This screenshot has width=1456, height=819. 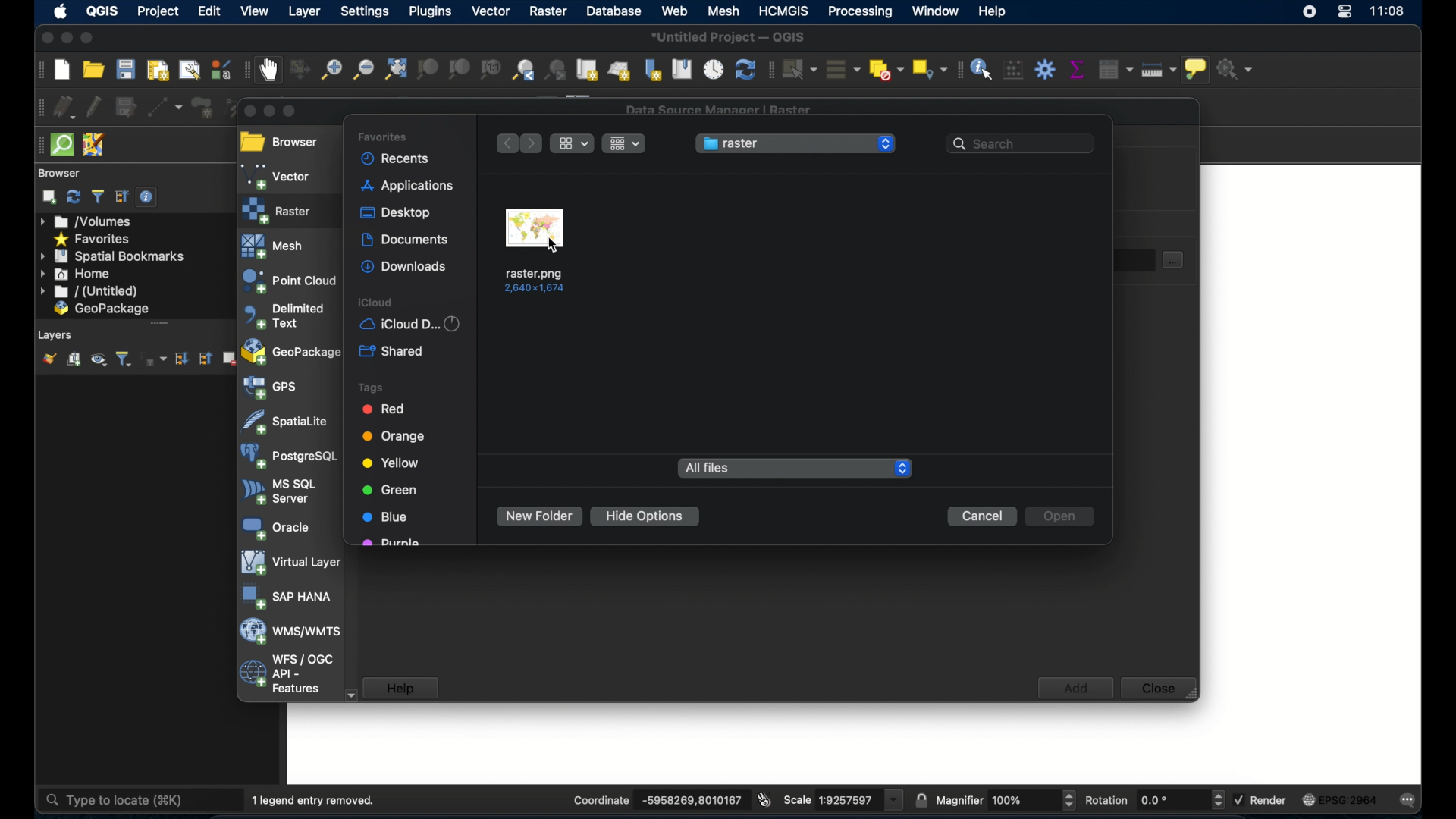 I want to click on lock scale, so click(x=921, y=799).